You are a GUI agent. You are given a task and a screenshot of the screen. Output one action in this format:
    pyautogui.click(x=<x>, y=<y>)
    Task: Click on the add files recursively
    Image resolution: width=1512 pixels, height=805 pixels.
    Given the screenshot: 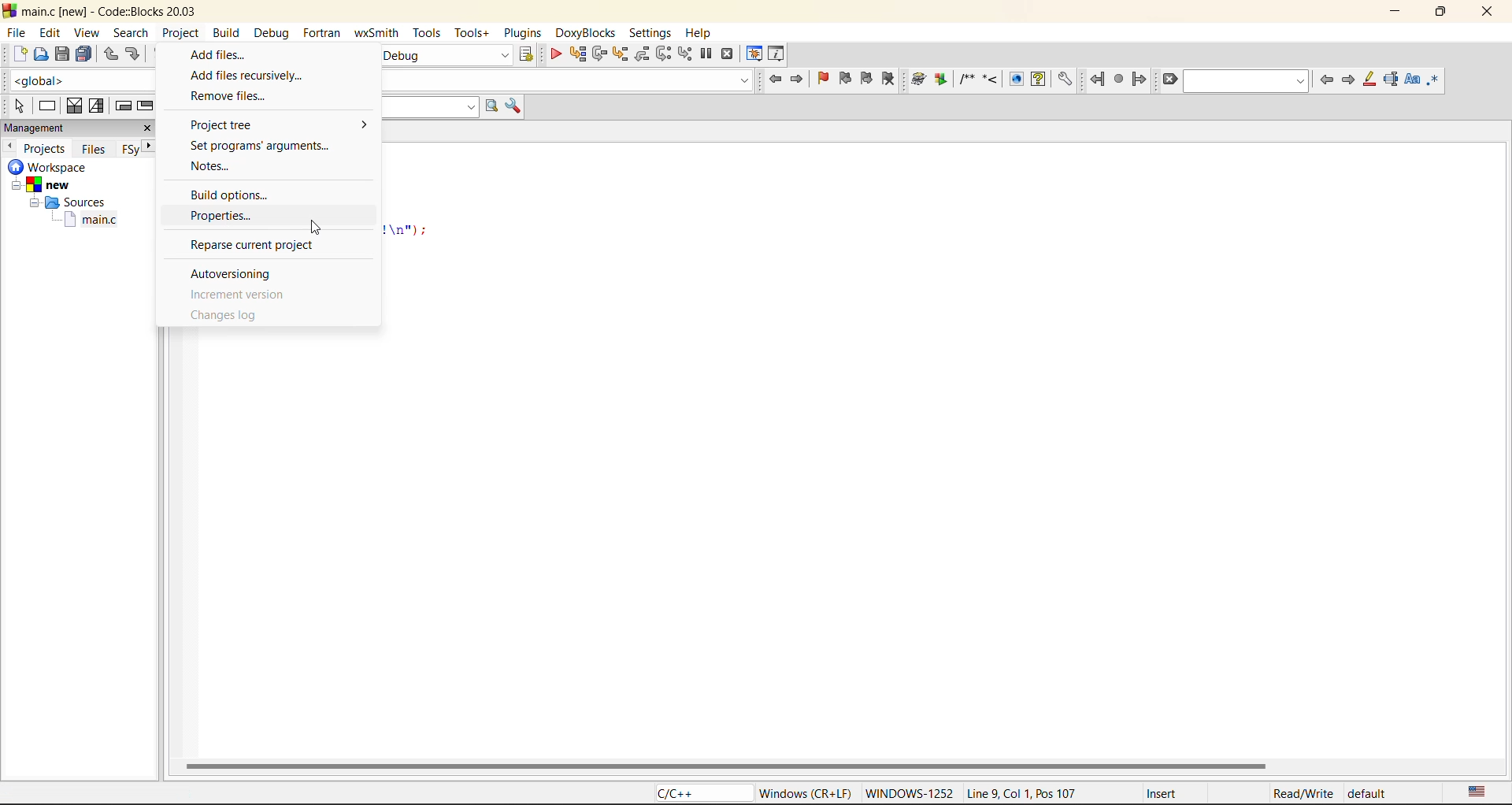 What is the action you would take?
    pyautogui.click(x=253, y=75)
    